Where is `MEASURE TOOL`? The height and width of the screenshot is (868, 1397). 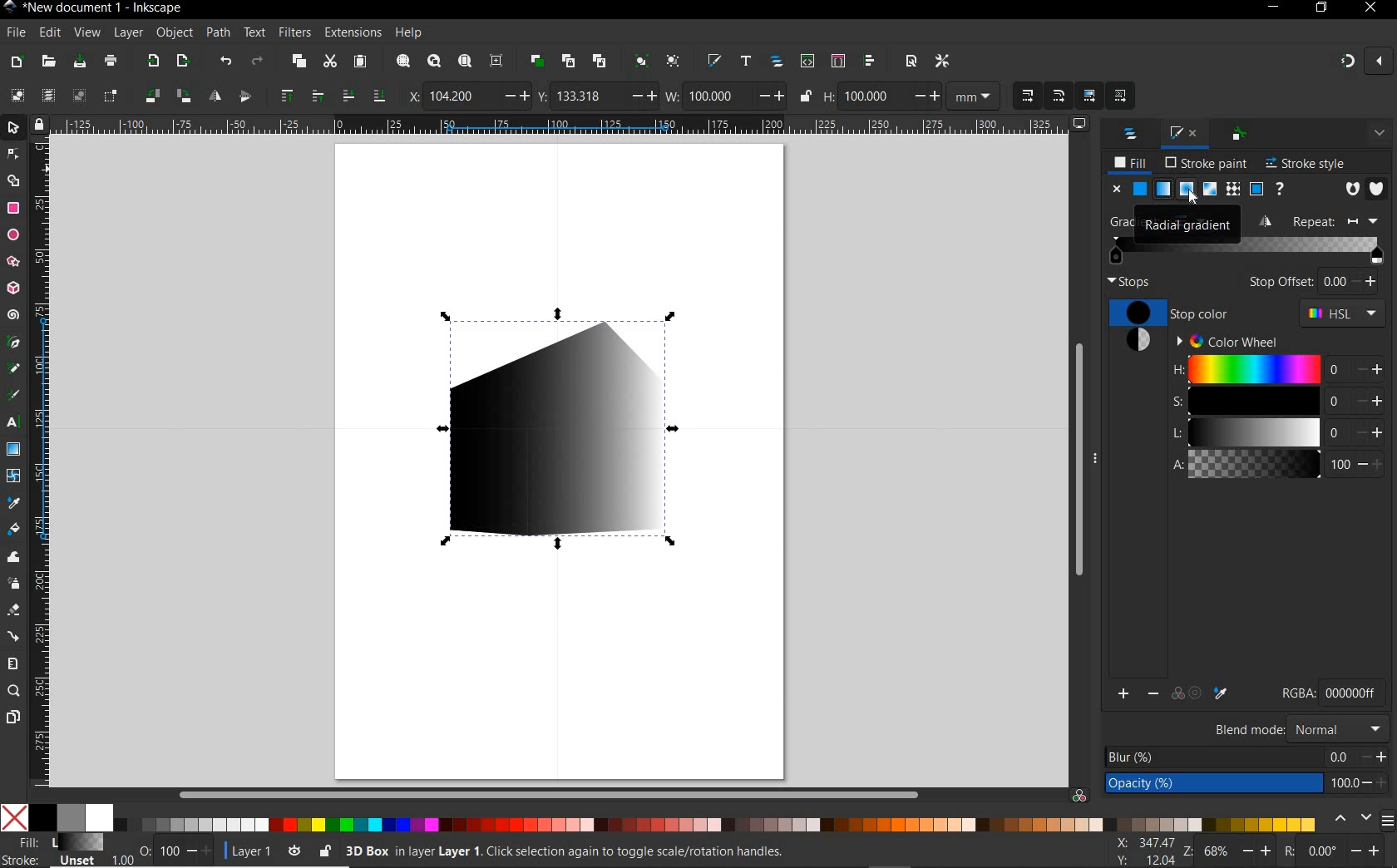 MEASURE TOOL is located at coordinates (13, 662).